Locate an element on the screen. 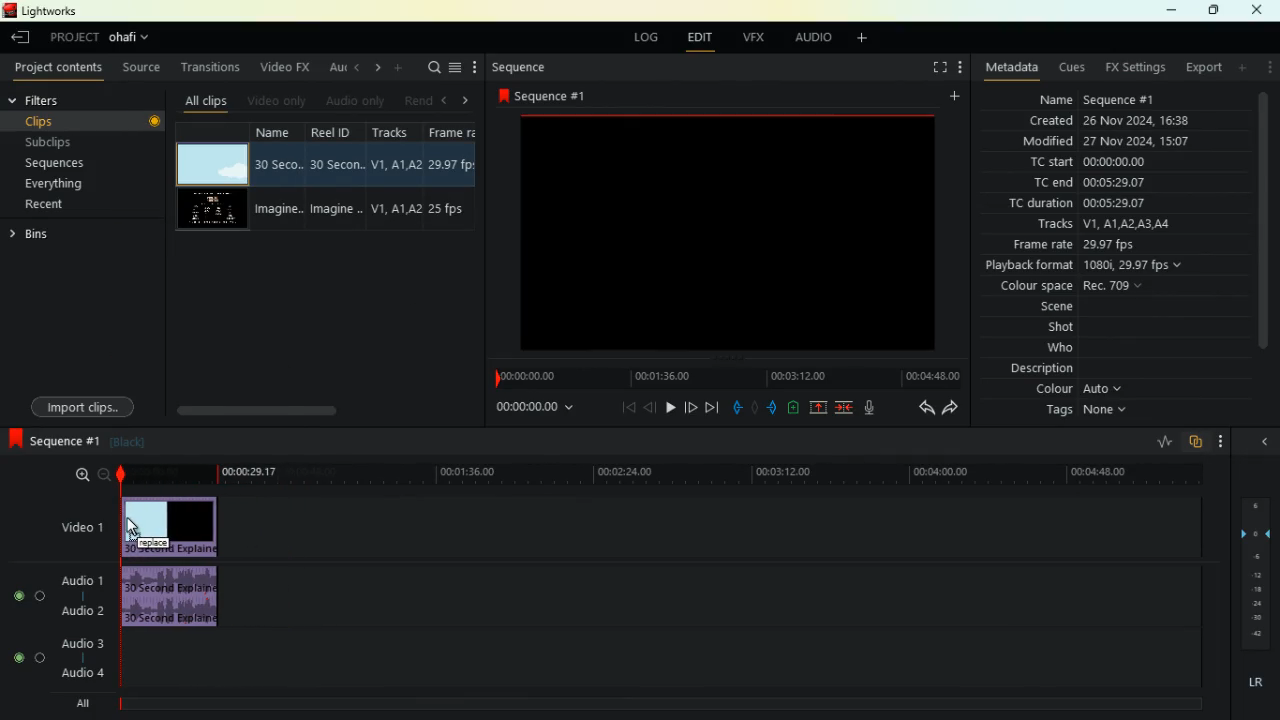 The width and height of the screenshot is (1280, 720). colour is located at coordinates (1075, 388).